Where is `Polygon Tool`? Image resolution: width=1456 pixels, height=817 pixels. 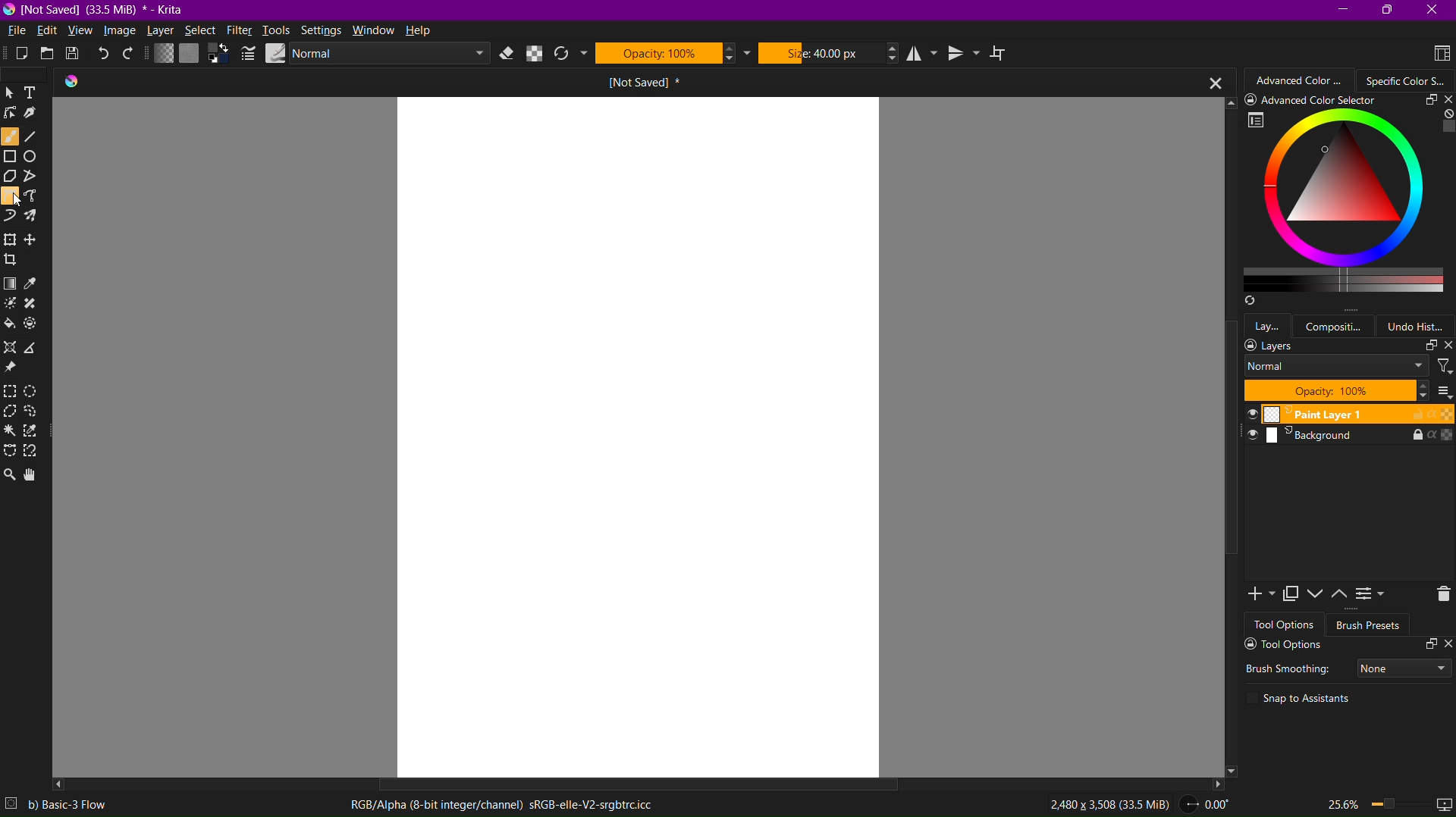
Polygon Tool is located at coordinates (12, 178).